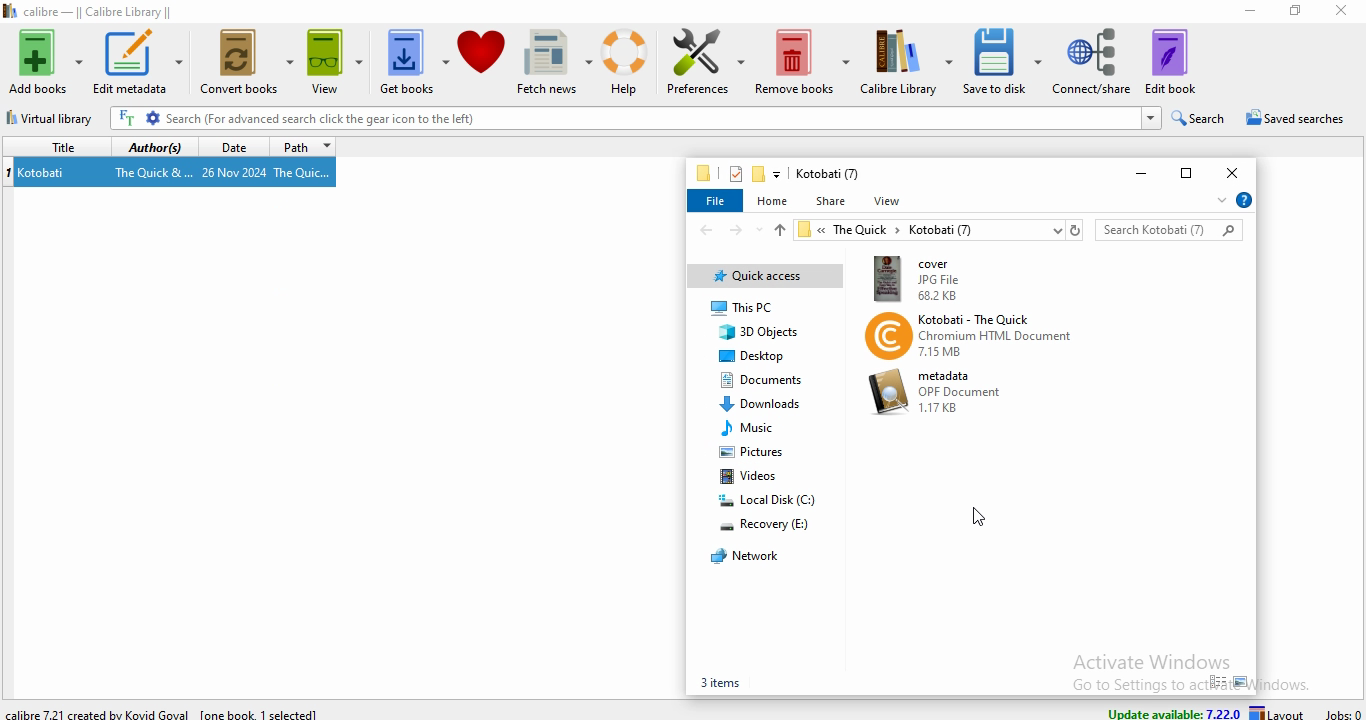  I want to click on restore, so click(1183, 171).